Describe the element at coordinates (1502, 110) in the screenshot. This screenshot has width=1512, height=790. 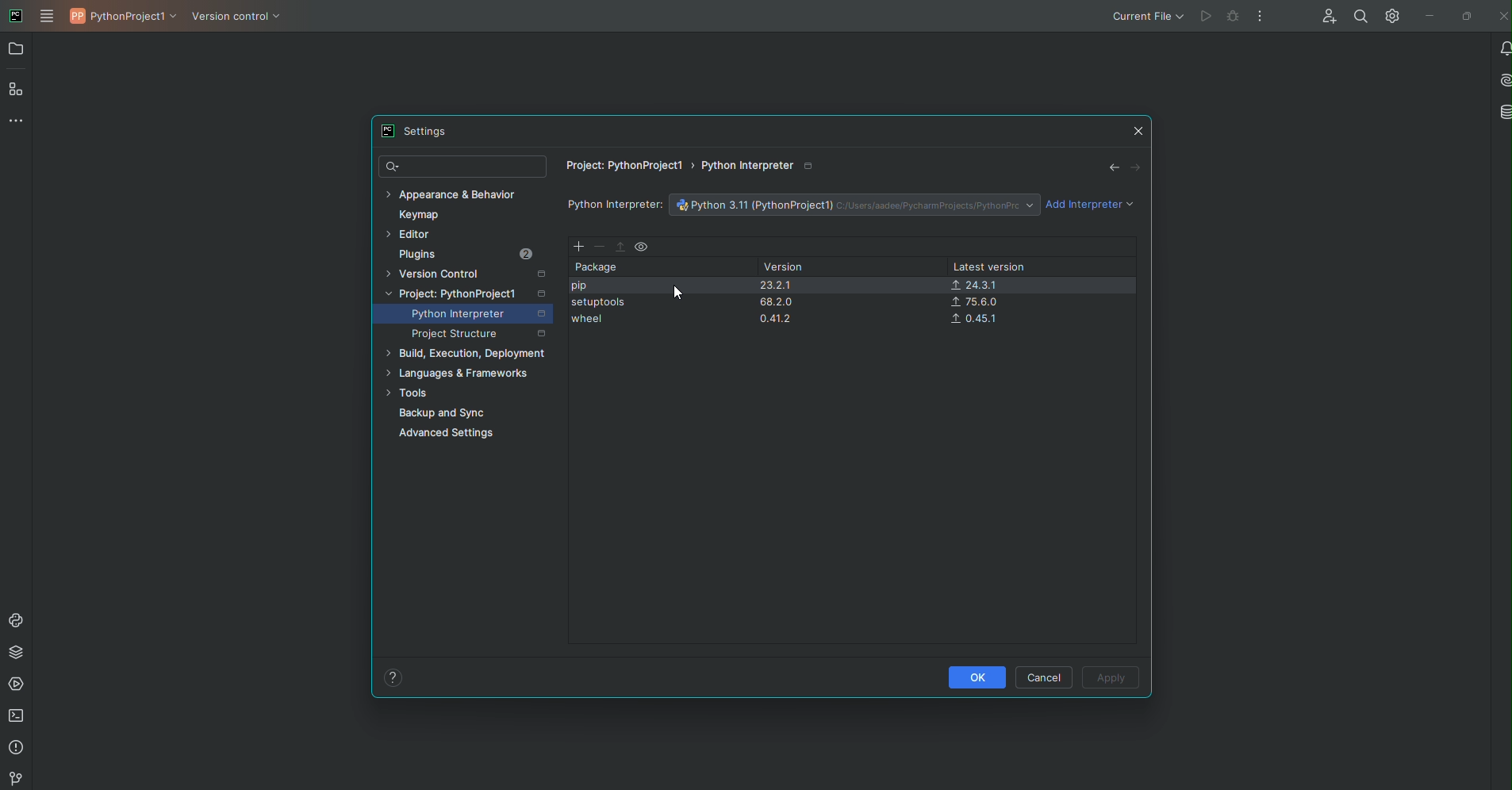
I see `Database` at that location.